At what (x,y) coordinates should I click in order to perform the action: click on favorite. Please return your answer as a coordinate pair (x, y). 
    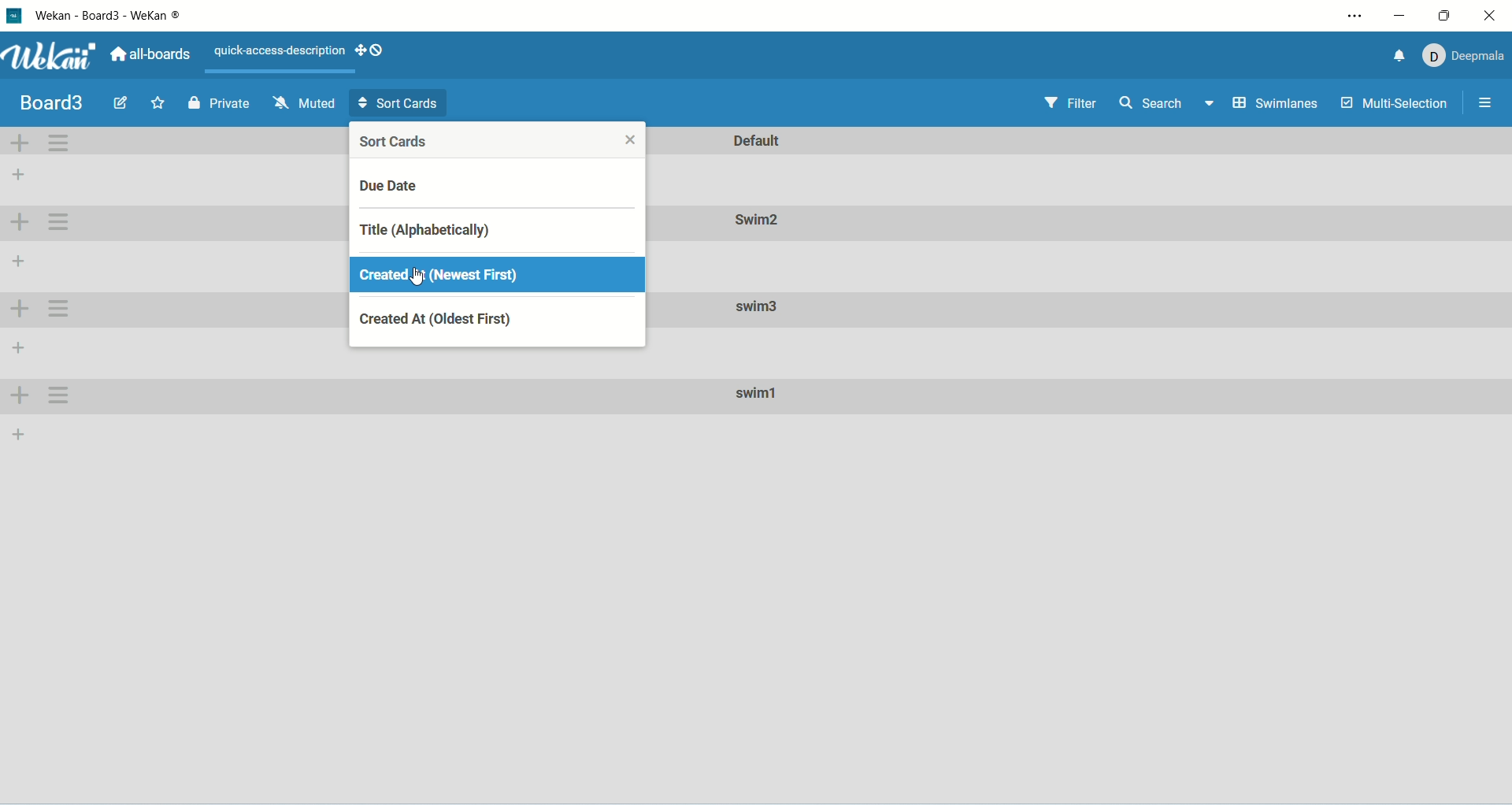
    Looking at the image, I should click on (159, 102).